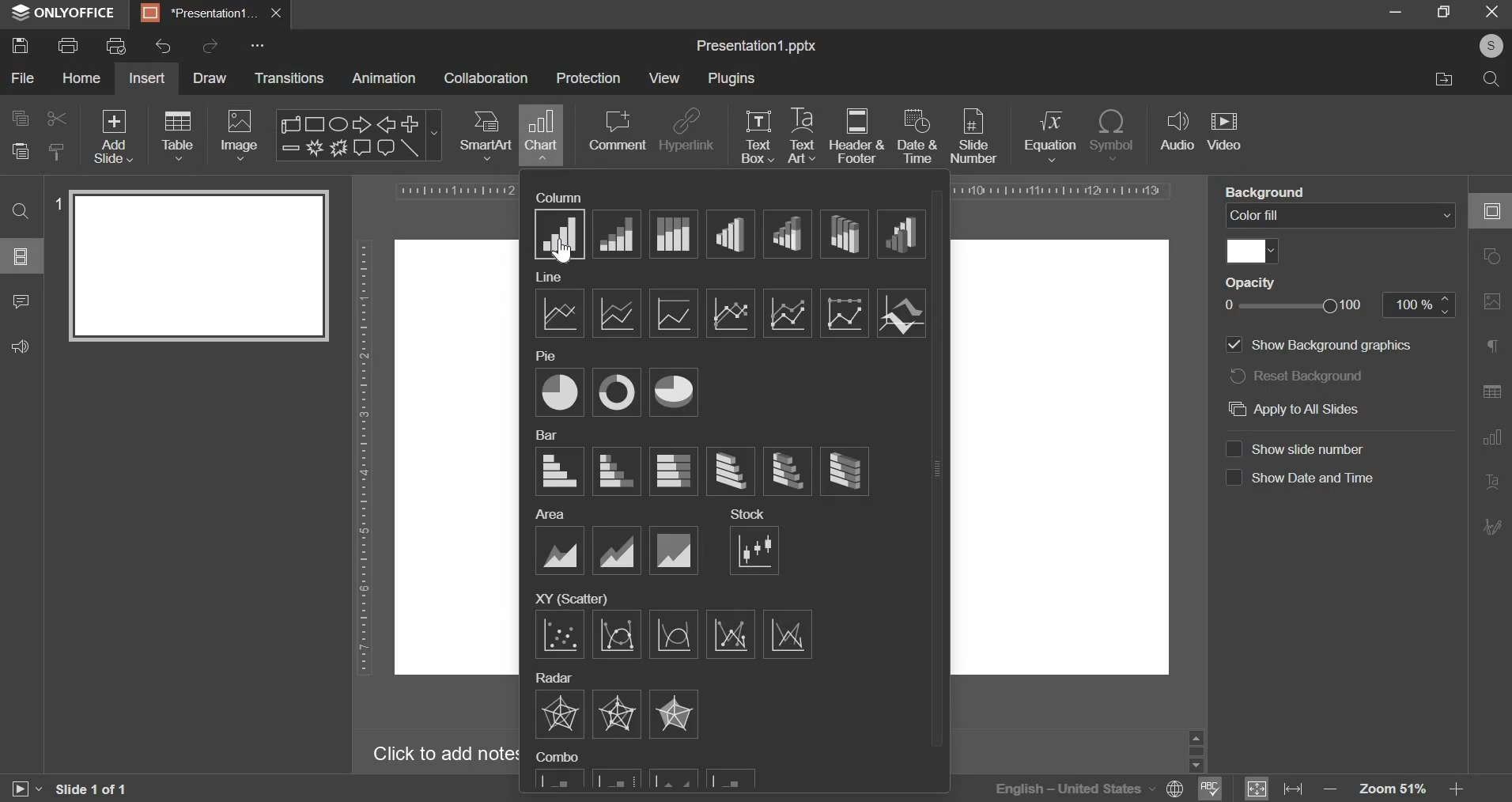  What do you see at coordinates (939, 467) in the screenshot?
I see `slider` at bounding box center [939, 467].